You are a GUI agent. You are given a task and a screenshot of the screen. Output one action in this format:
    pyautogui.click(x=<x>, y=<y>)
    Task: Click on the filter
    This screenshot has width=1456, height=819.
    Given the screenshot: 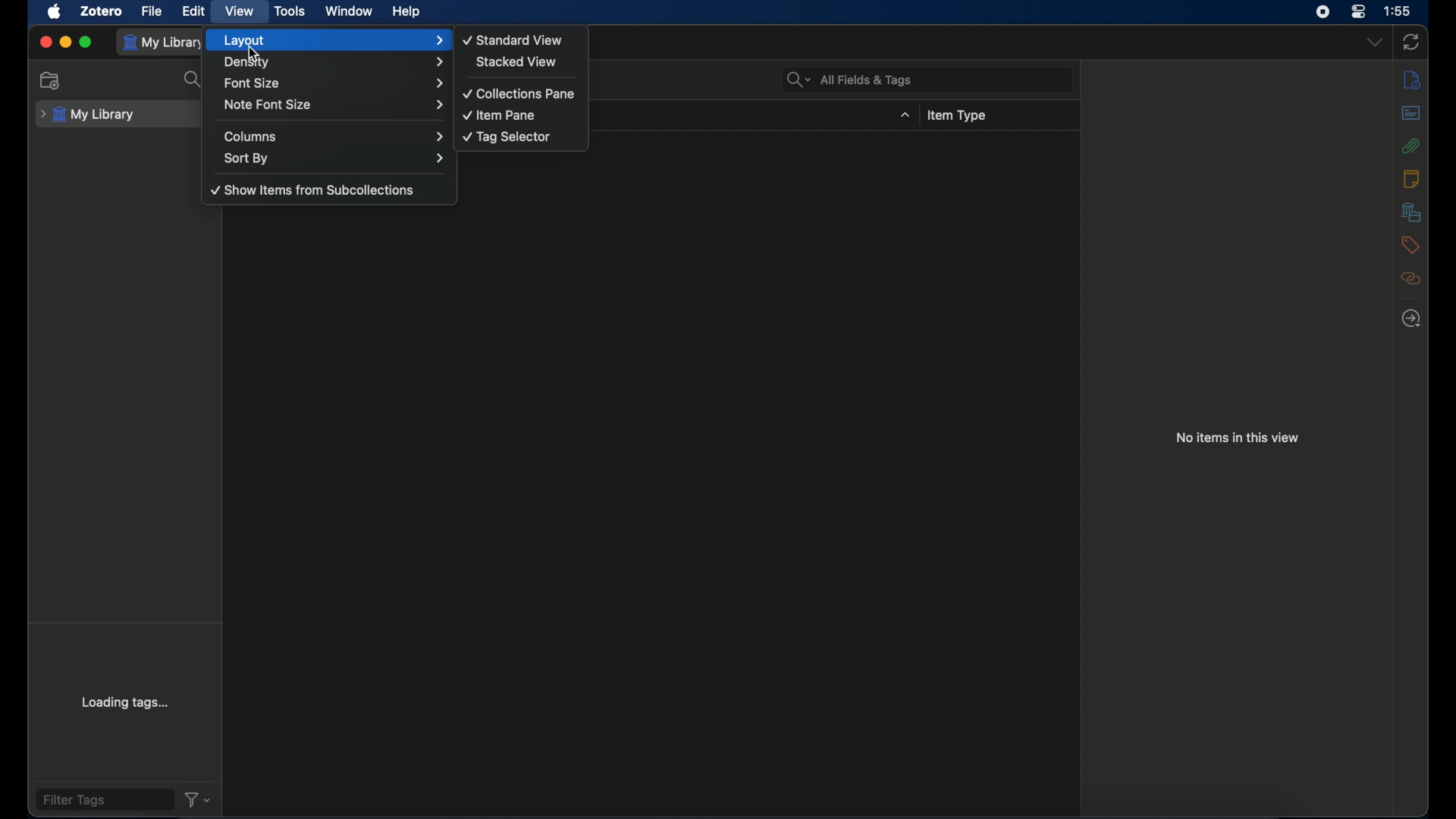 What is the action you would take?
    pyautogui.click(x=199, y=799)
    